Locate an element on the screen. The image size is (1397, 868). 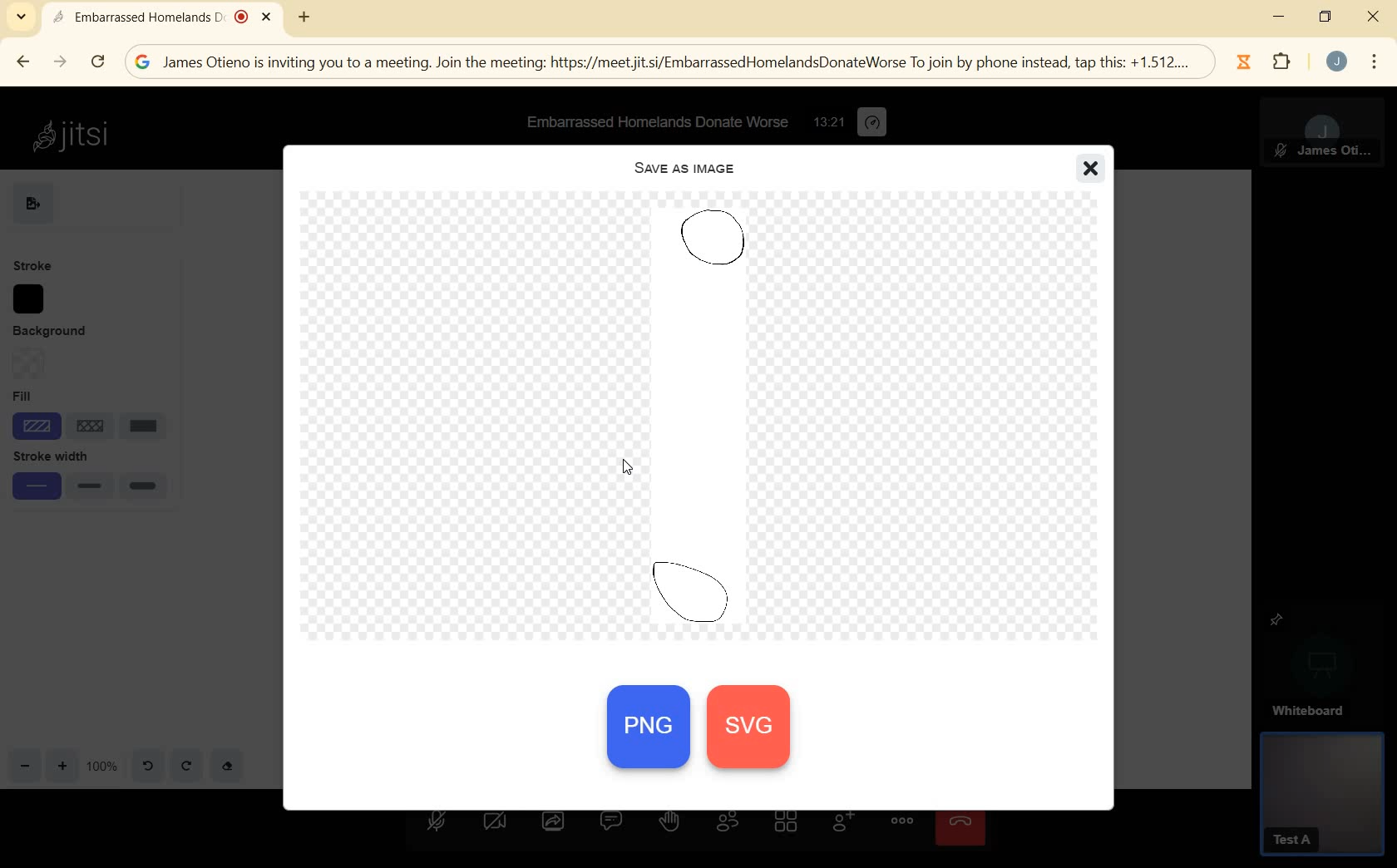
small is located at coordinates (34, 489).